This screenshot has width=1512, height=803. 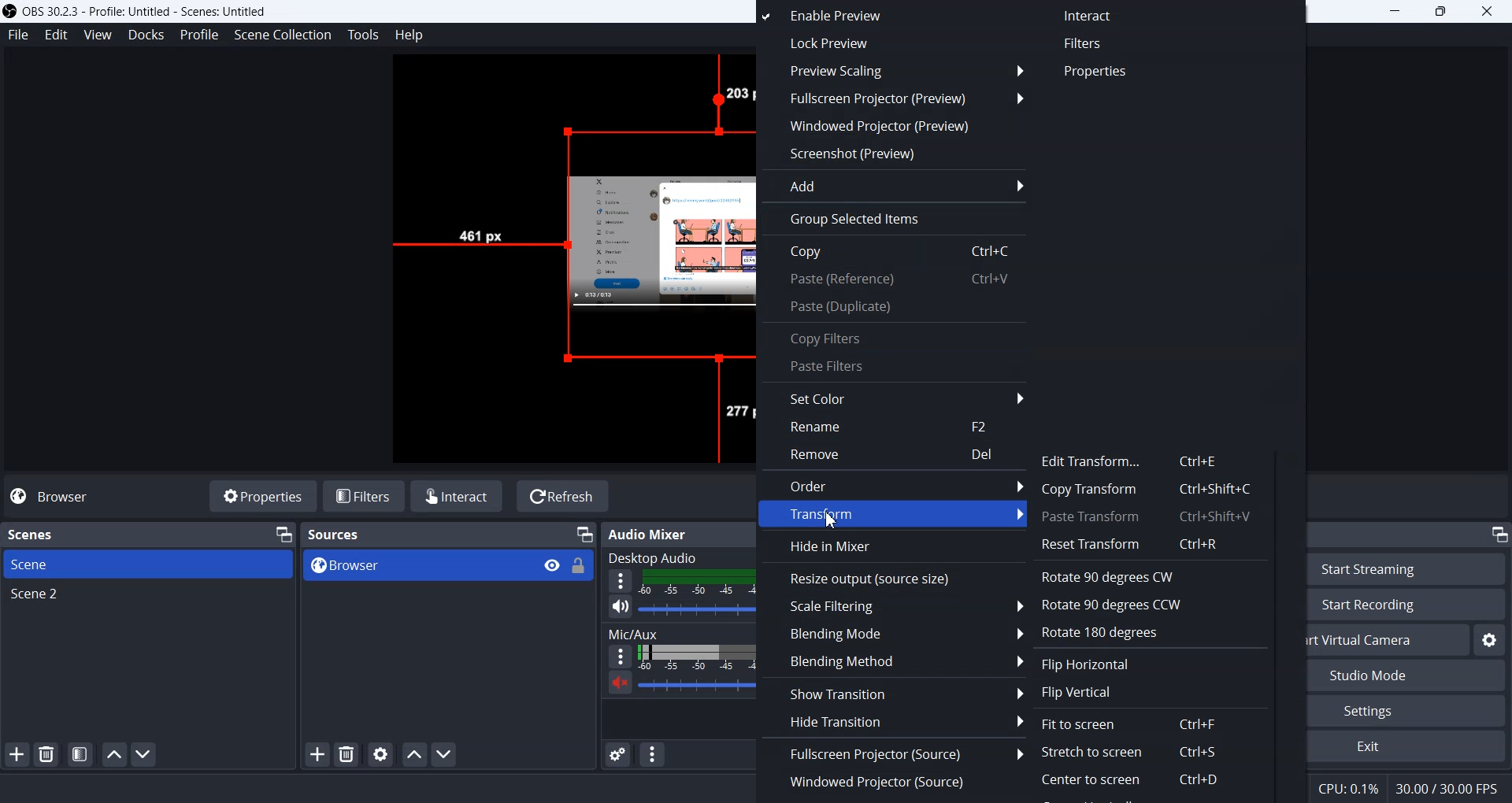 What do you see at coordinates (17, 754) in the screenshot?
I see `Add Scene` at bounding box center [17, 754].